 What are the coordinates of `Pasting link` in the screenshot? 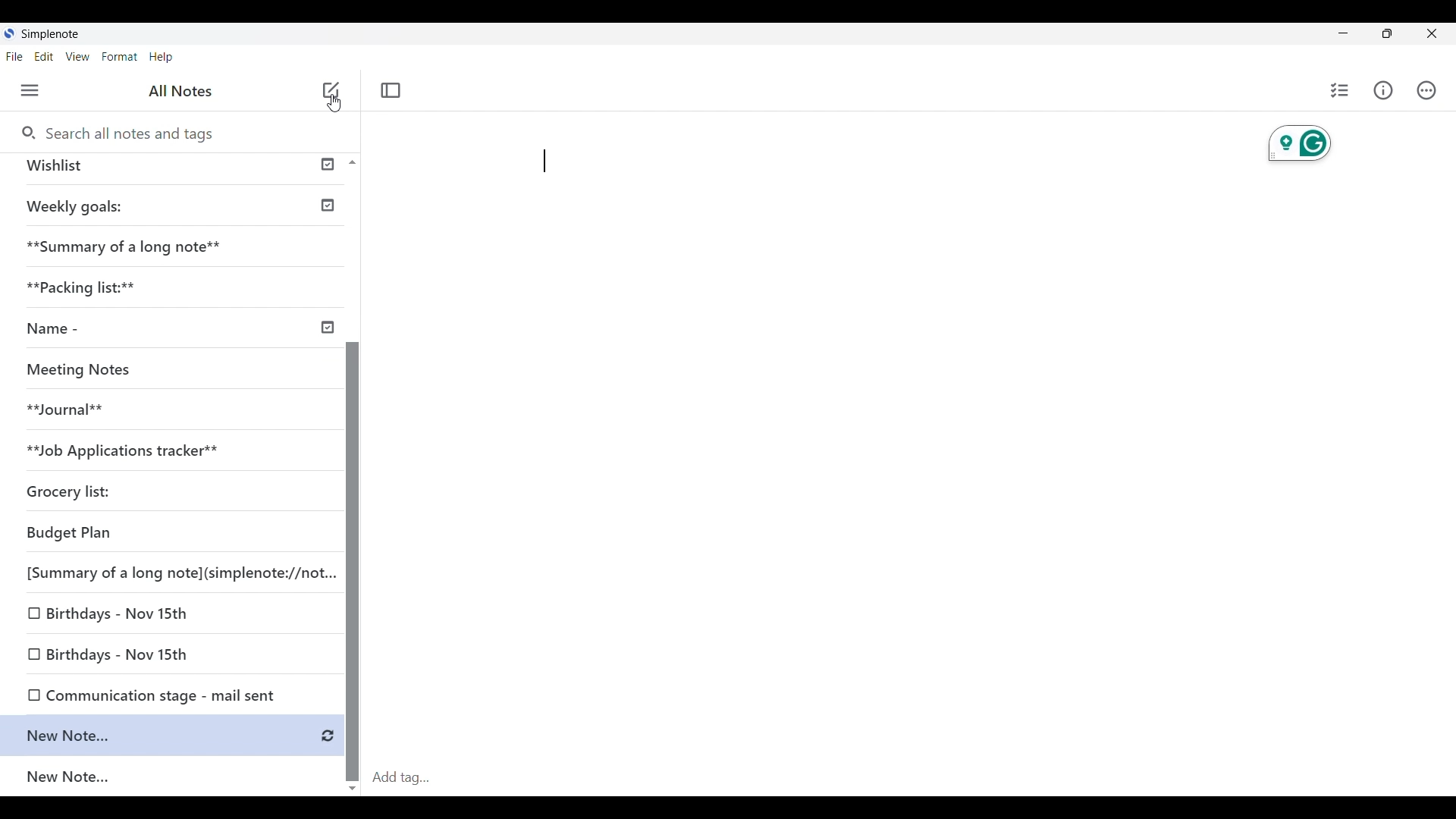 It's located at (544, 161).